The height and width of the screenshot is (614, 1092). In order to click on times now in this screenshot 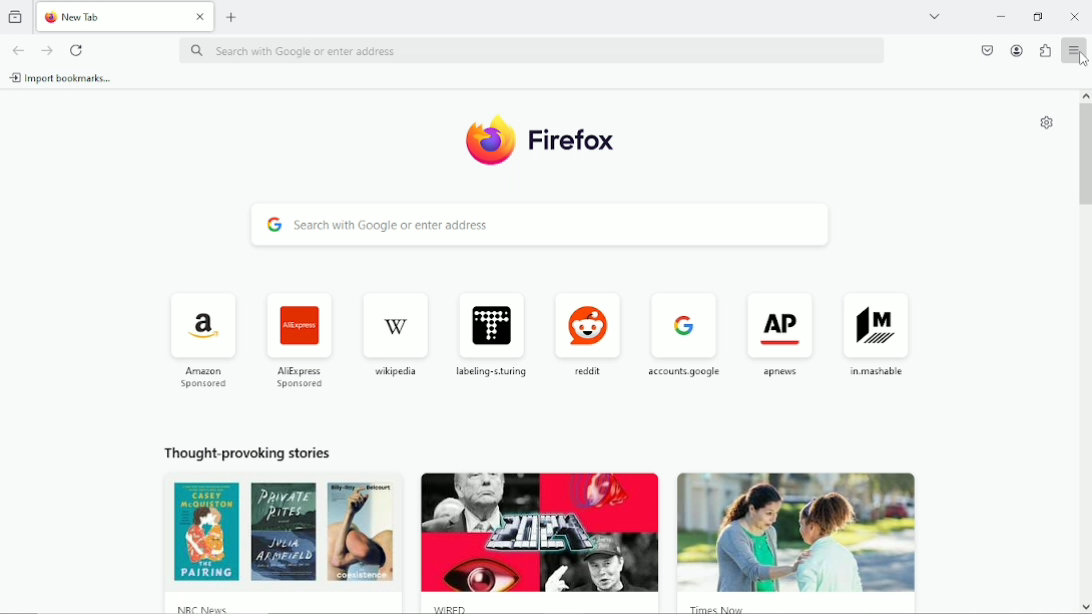, I will do `click(718, 608)`.